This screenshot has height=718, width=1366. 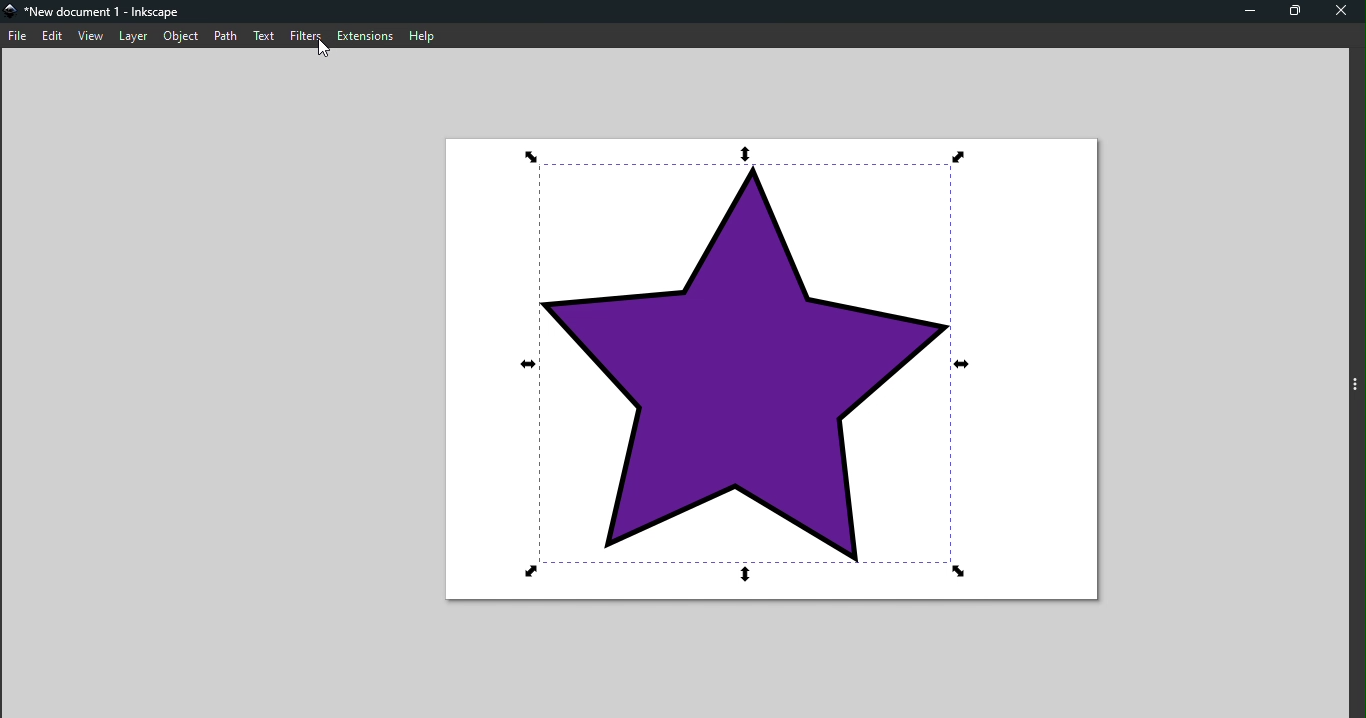 What do you see at coordinates (227, 34) in the screenshot?
I see `Path` at bounding box center [227, 34].